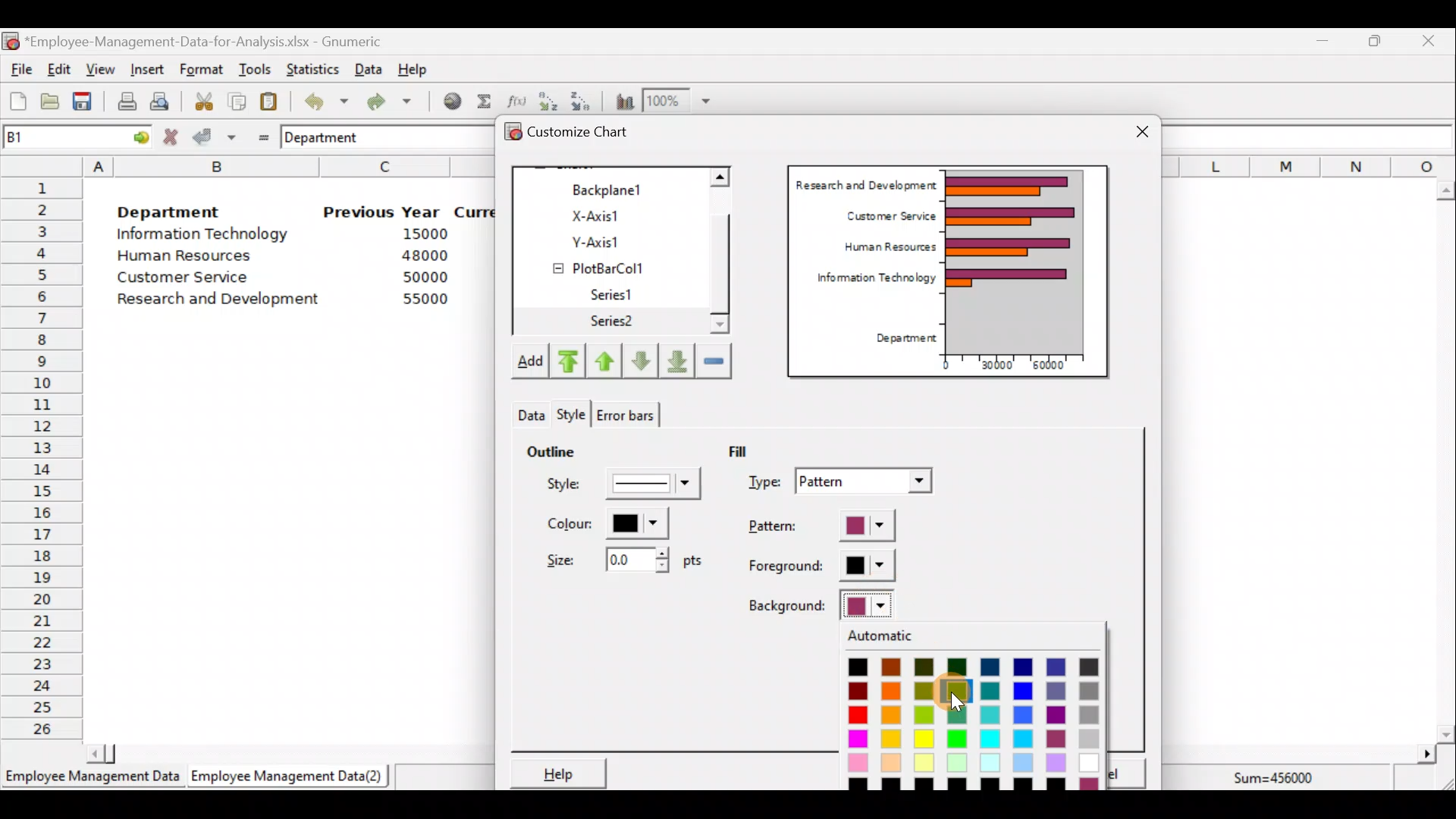  Describe the element at coordinates (199, 99) in the screenshot. I see `Cut the selection` at that location.